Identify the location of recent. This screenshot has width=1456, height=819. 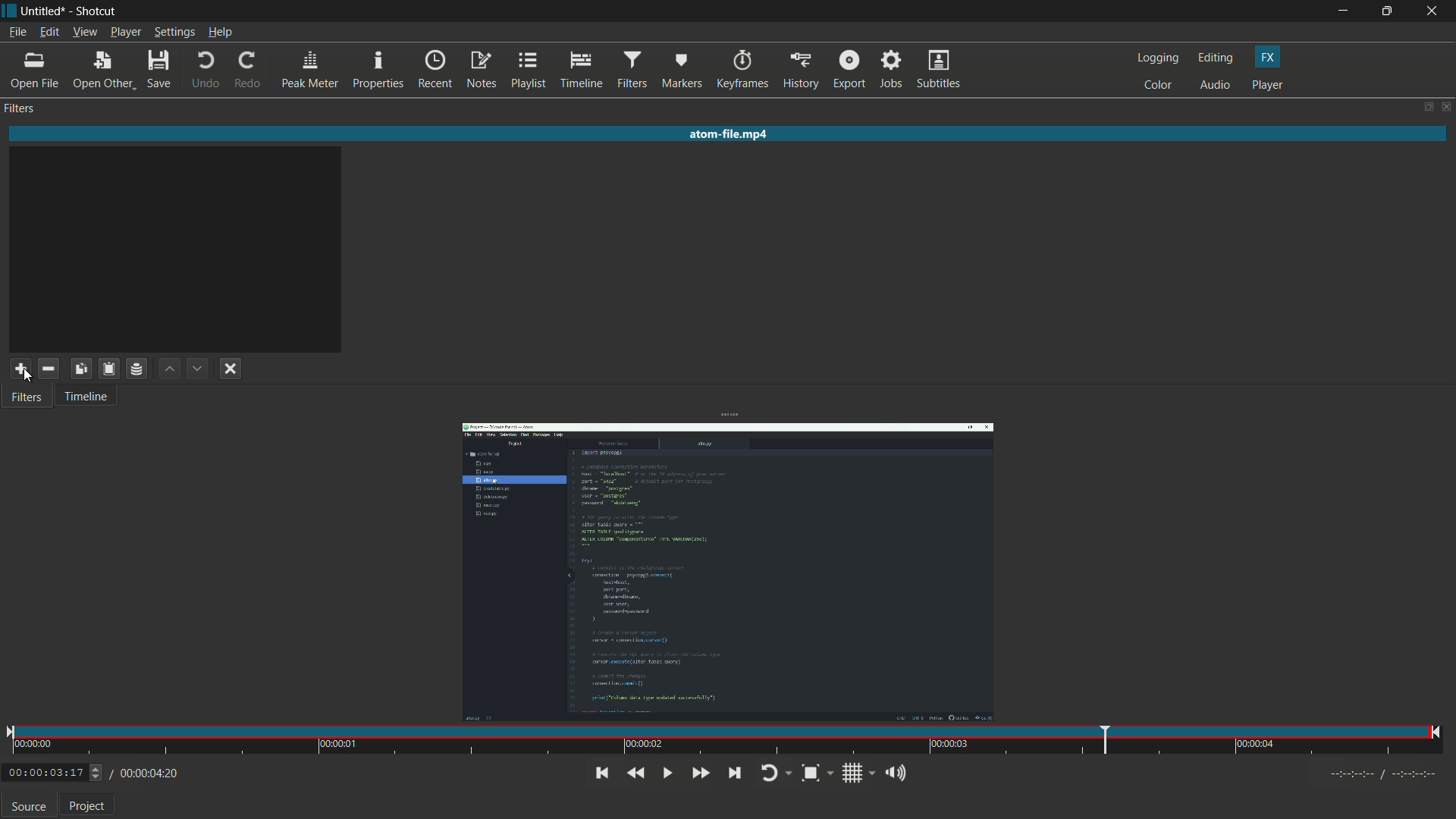
(435, 71).